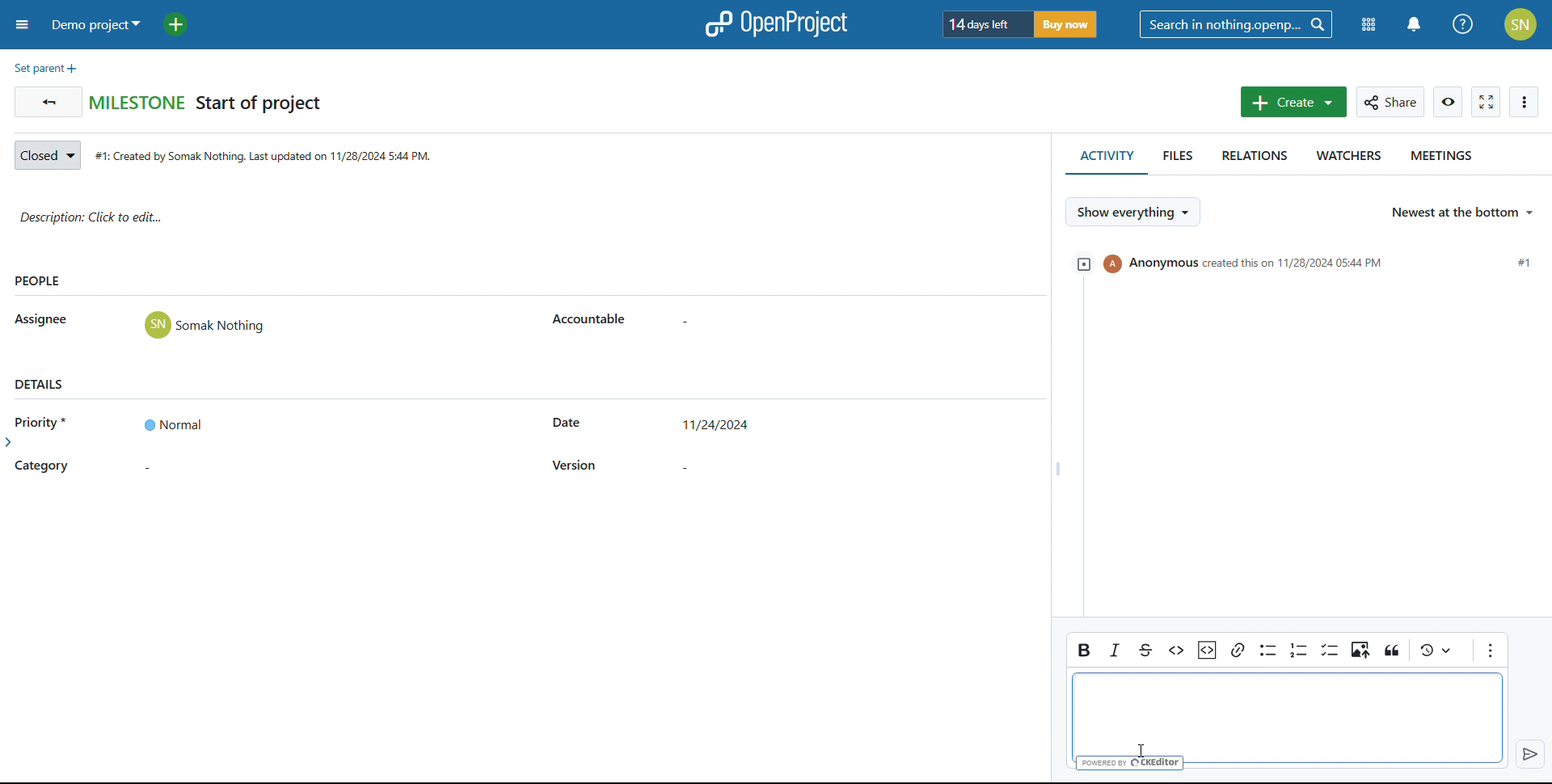 The width and height of the screenshot is (1552, 784). What do you see at coordinates (1298, 650) in the screenshot?
I see `number list` at bounding box center [1298, 650].